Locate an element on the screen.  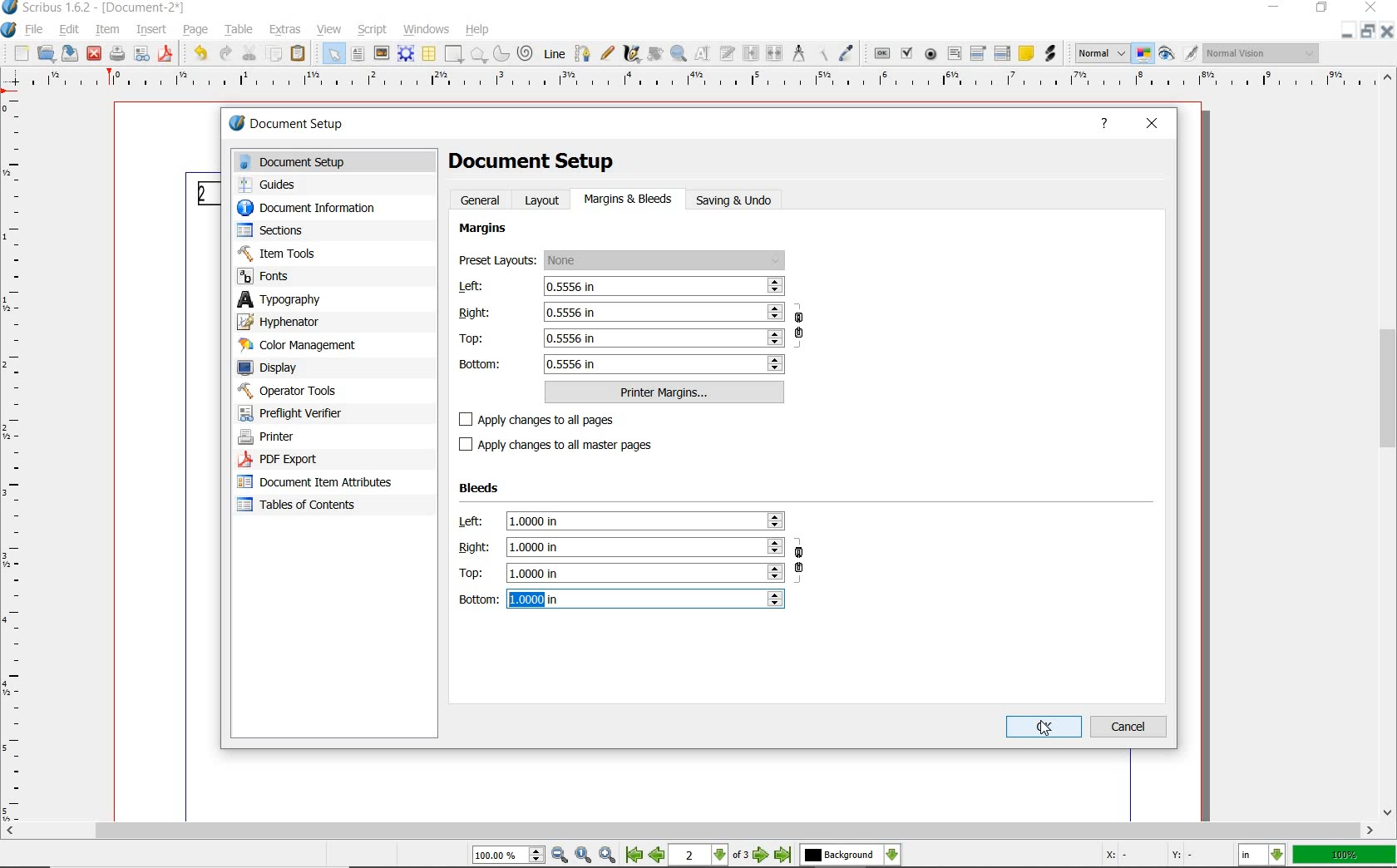
insert is located at coordinates (151, 30).